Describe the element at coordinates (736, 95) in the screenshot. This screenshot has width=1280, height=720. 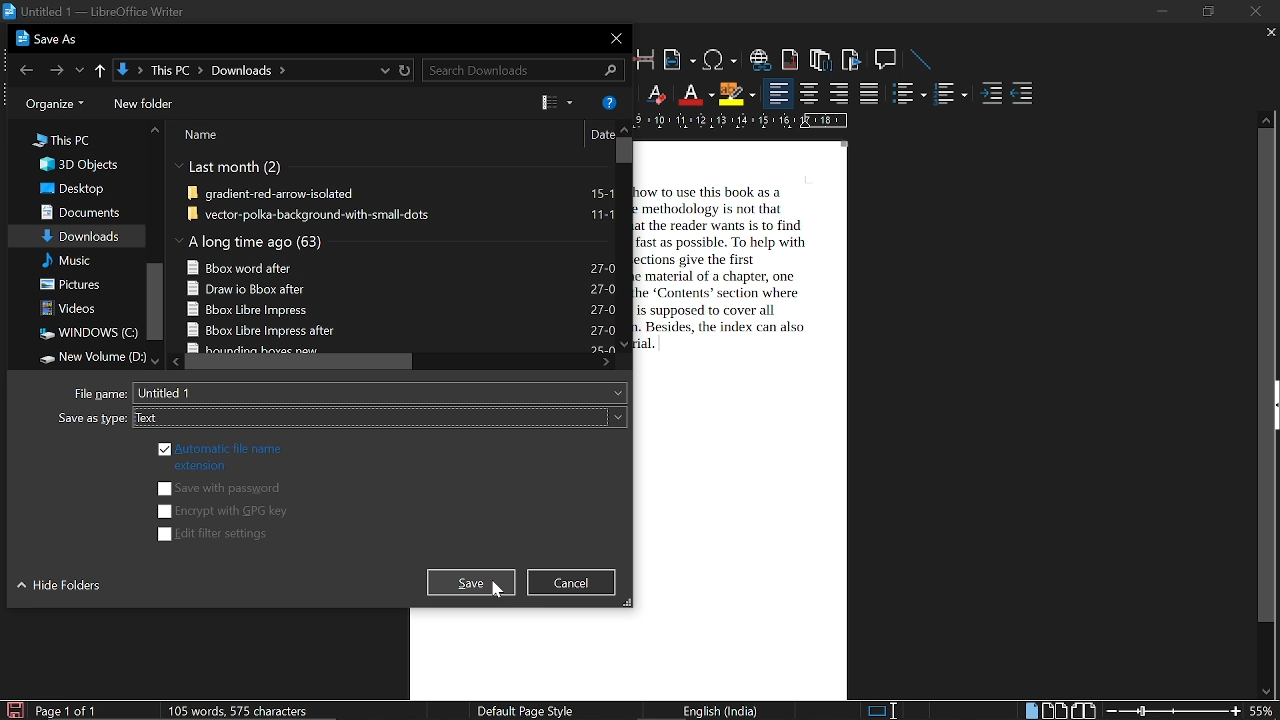
I see `highlight` at that location.